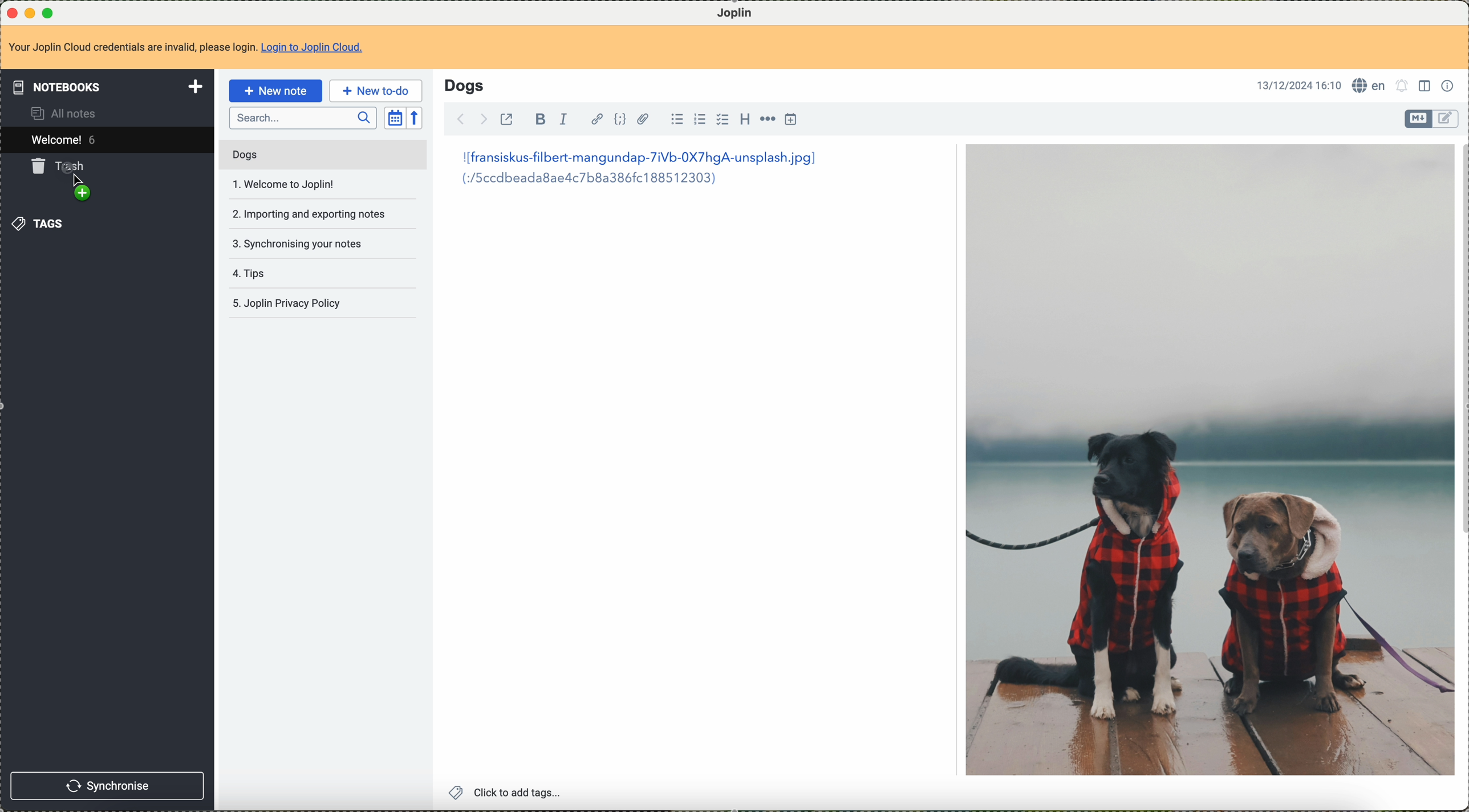 The height and width of the screenshot is (812, 1469). I want to click on toggle editor, so click(1447, 118).